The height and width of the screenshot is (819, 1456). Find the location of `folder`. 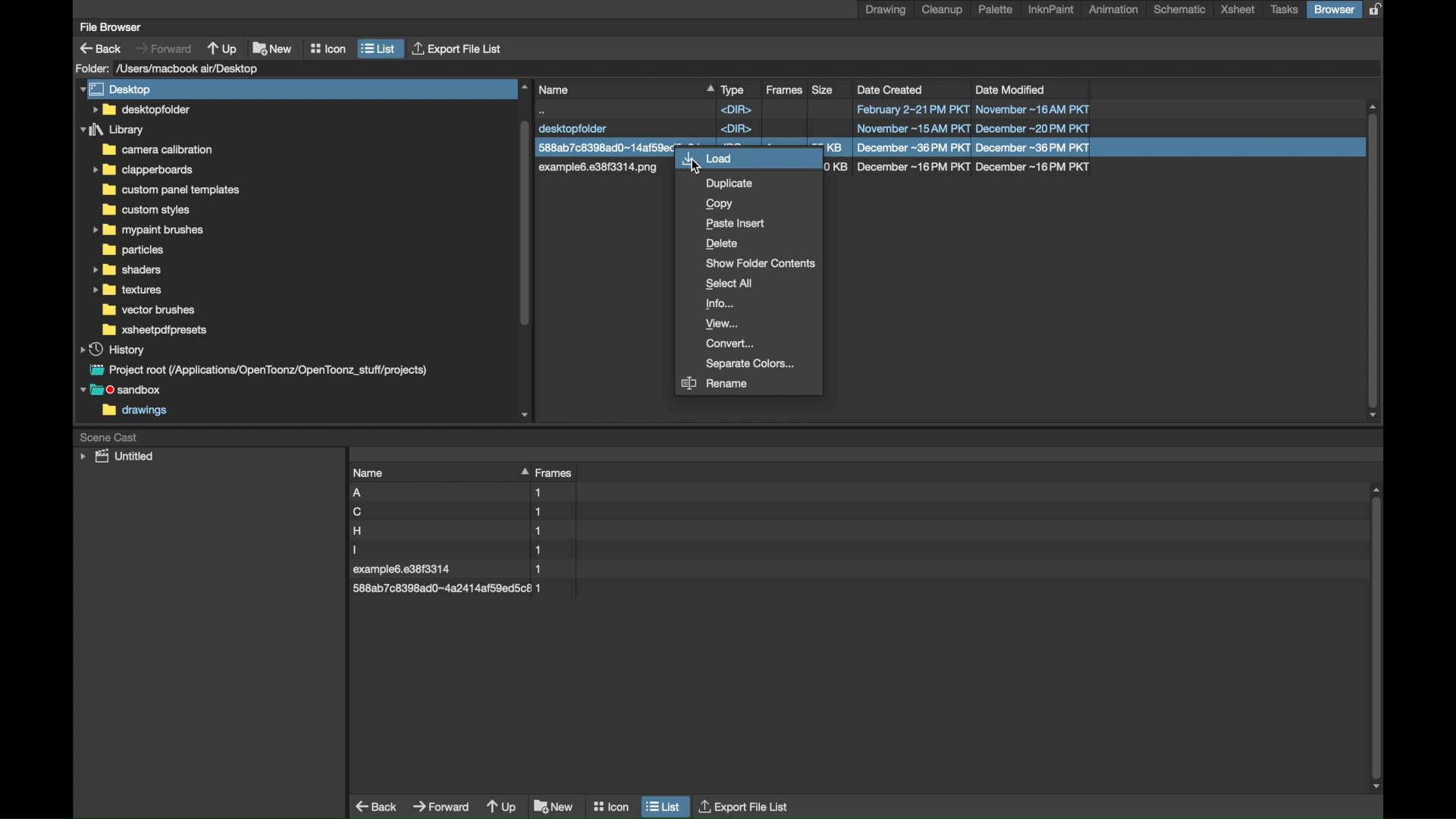

folder is located at coordinates (156, 149).